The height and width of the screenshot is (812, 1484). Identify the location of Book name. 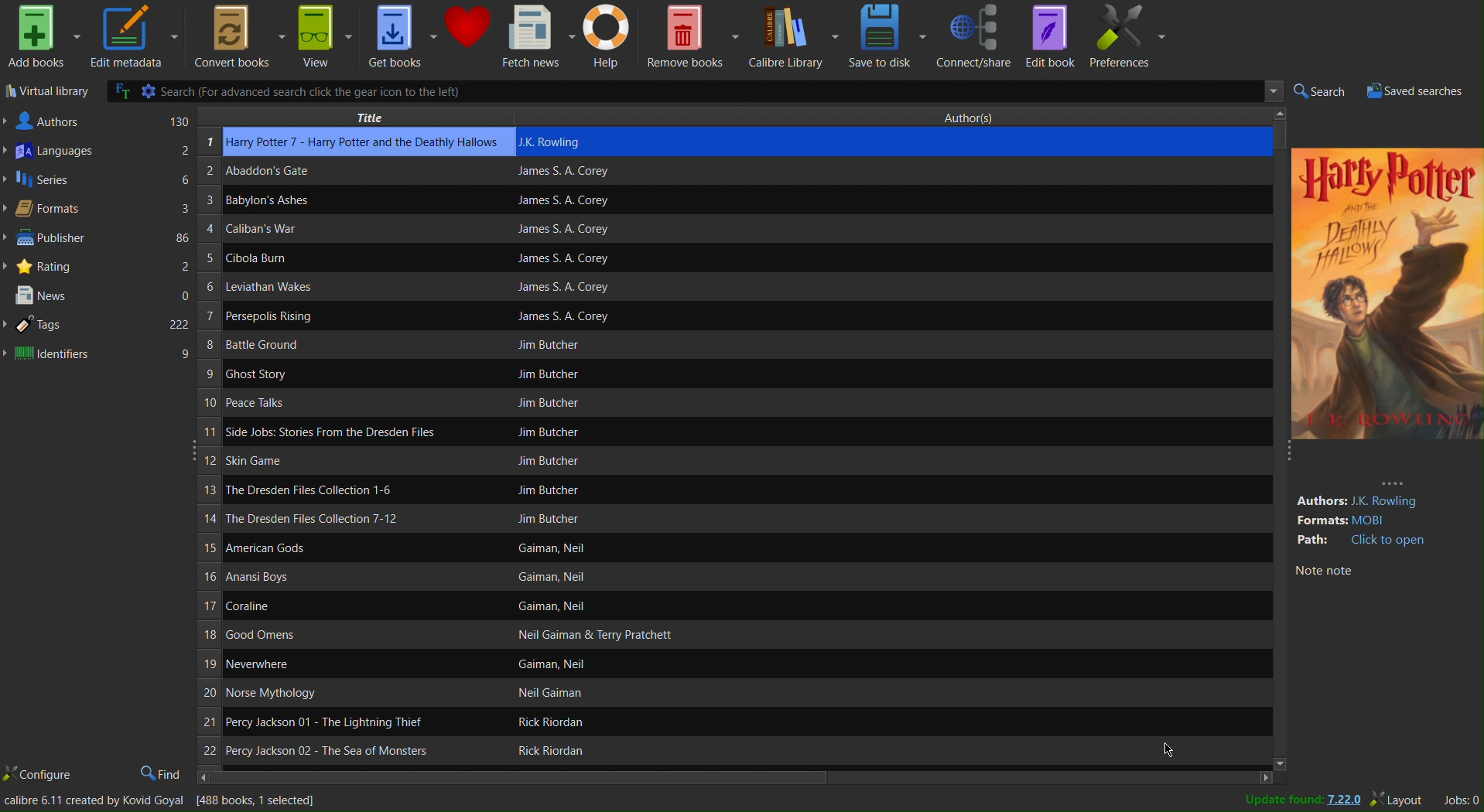
(309, 344).